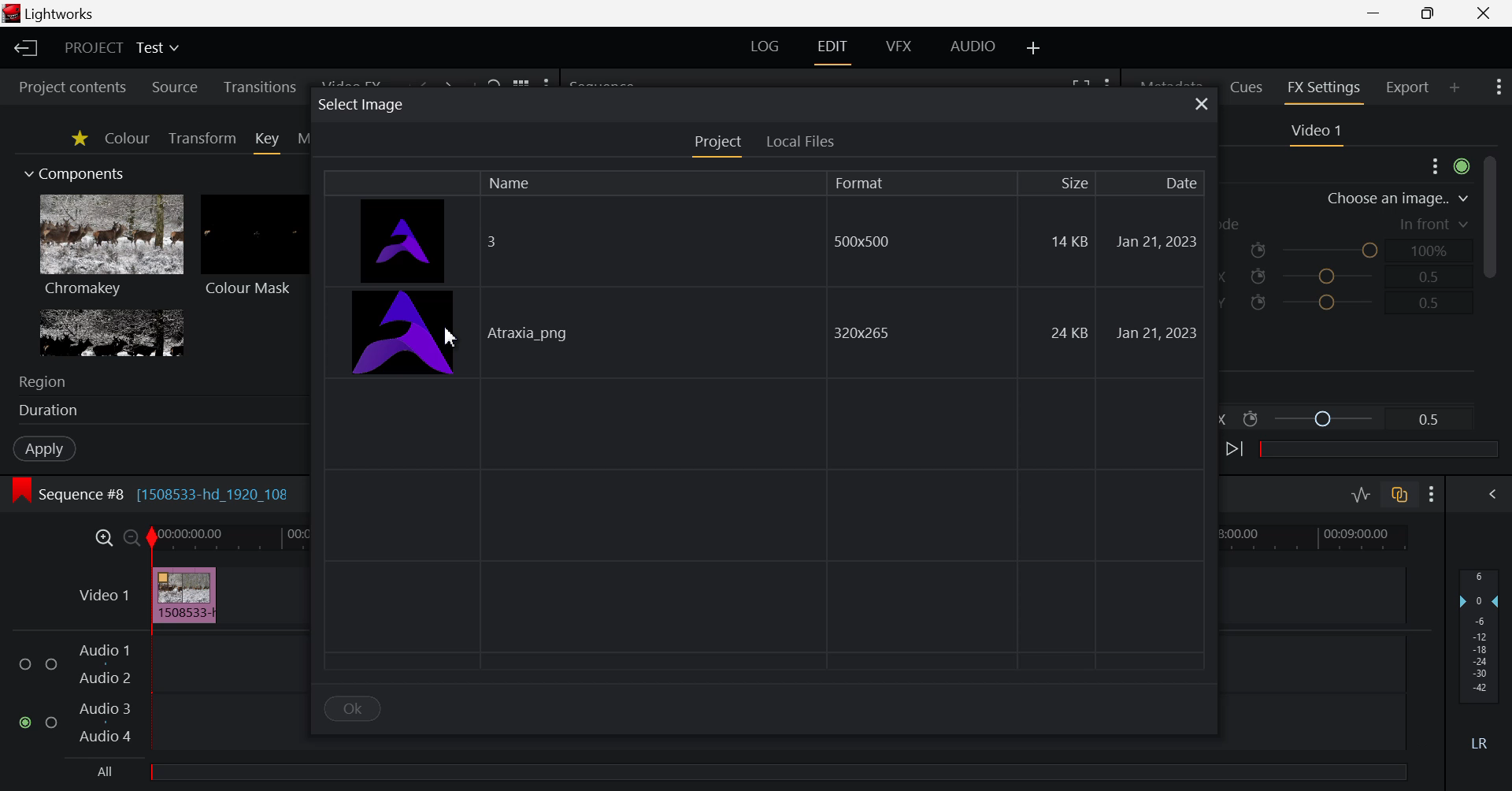 The image size is (1512, 791). What do you see at coordinates (1032, 45) in the screenshot?
I see `Add Layout` at bounding box center [1032, 45].